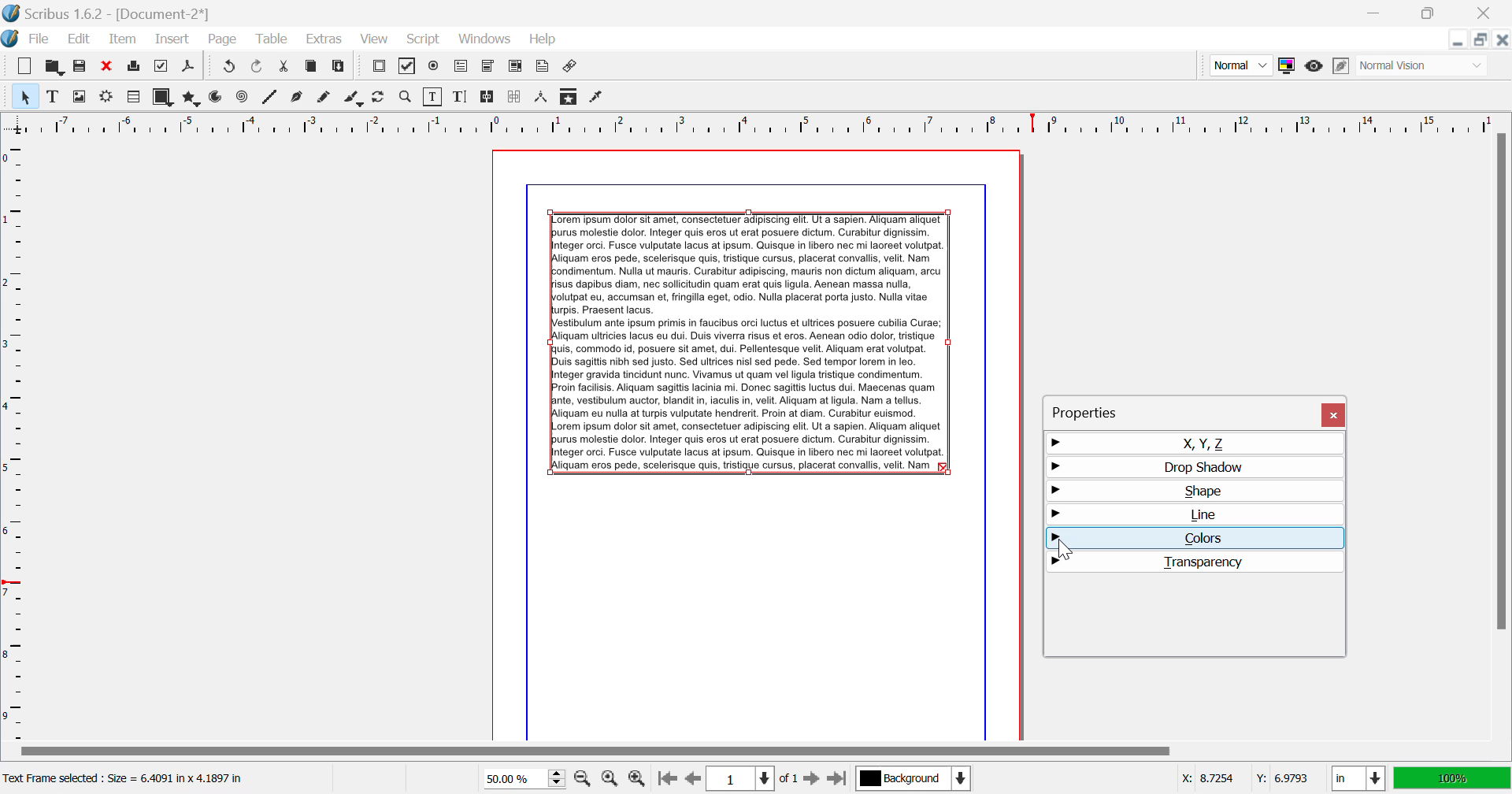 This screenshot has width=1512, height=794. Describe the element at coordinates (638, 779) in the screenshot. I see `Zoom In` at that location.